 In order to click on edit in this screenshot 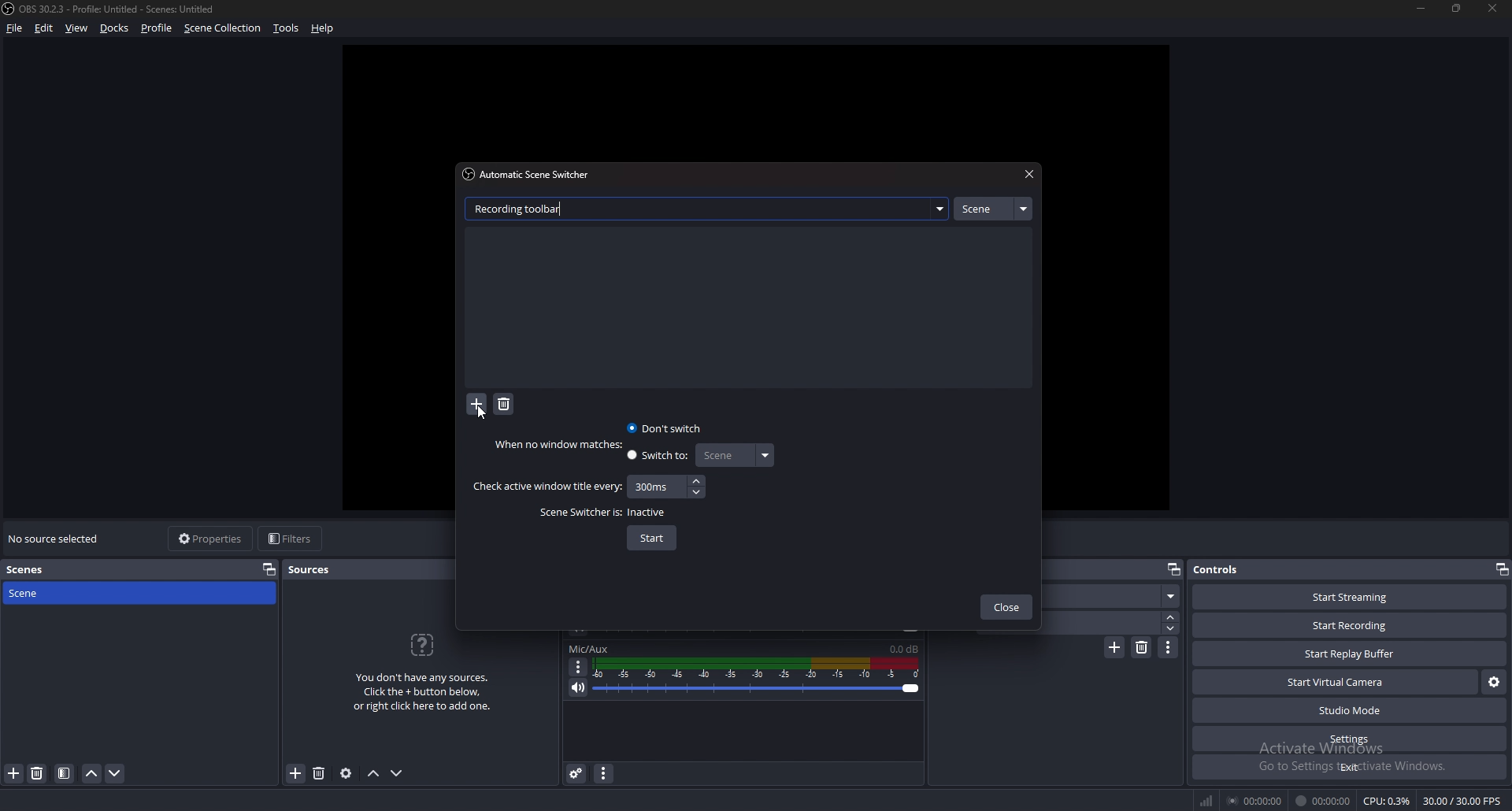, I will do `click(44, 28)`.